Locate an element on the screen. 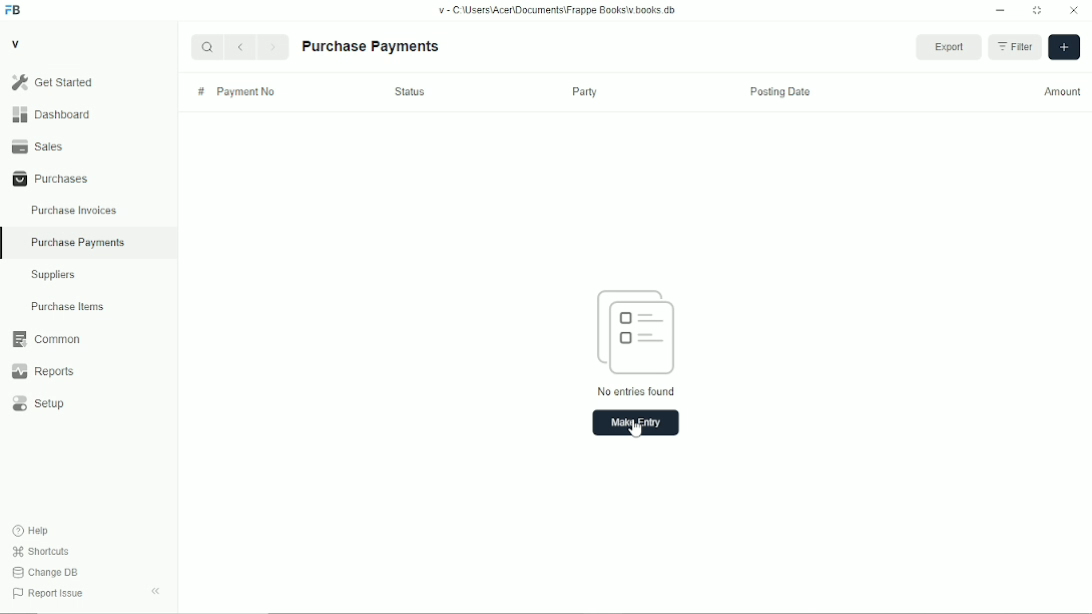  Reports is located at coordinates (89, 371).